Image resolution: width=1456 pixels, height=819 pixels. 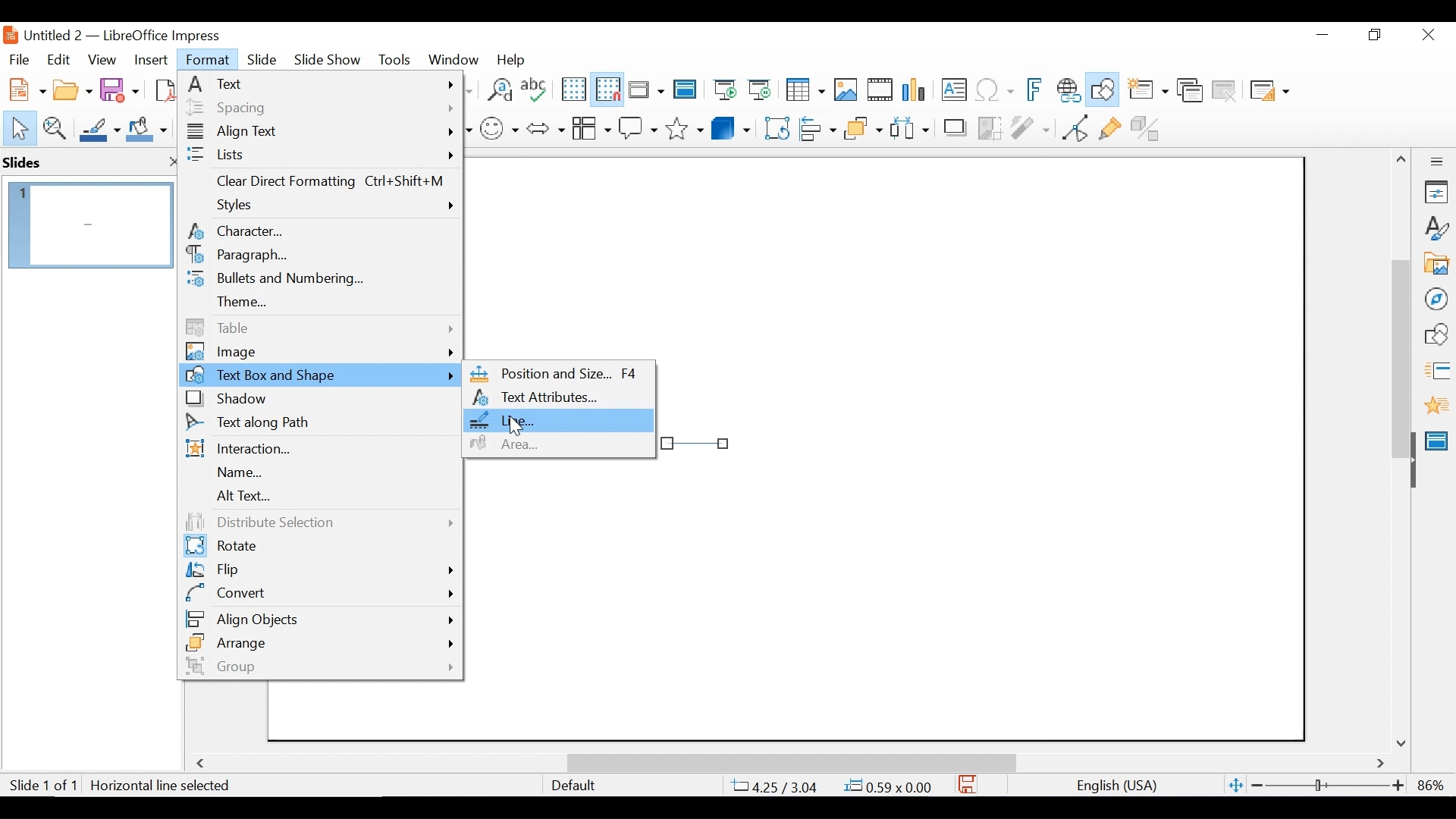 I want to click on Stars and Banners, so click(x=686, y=126).